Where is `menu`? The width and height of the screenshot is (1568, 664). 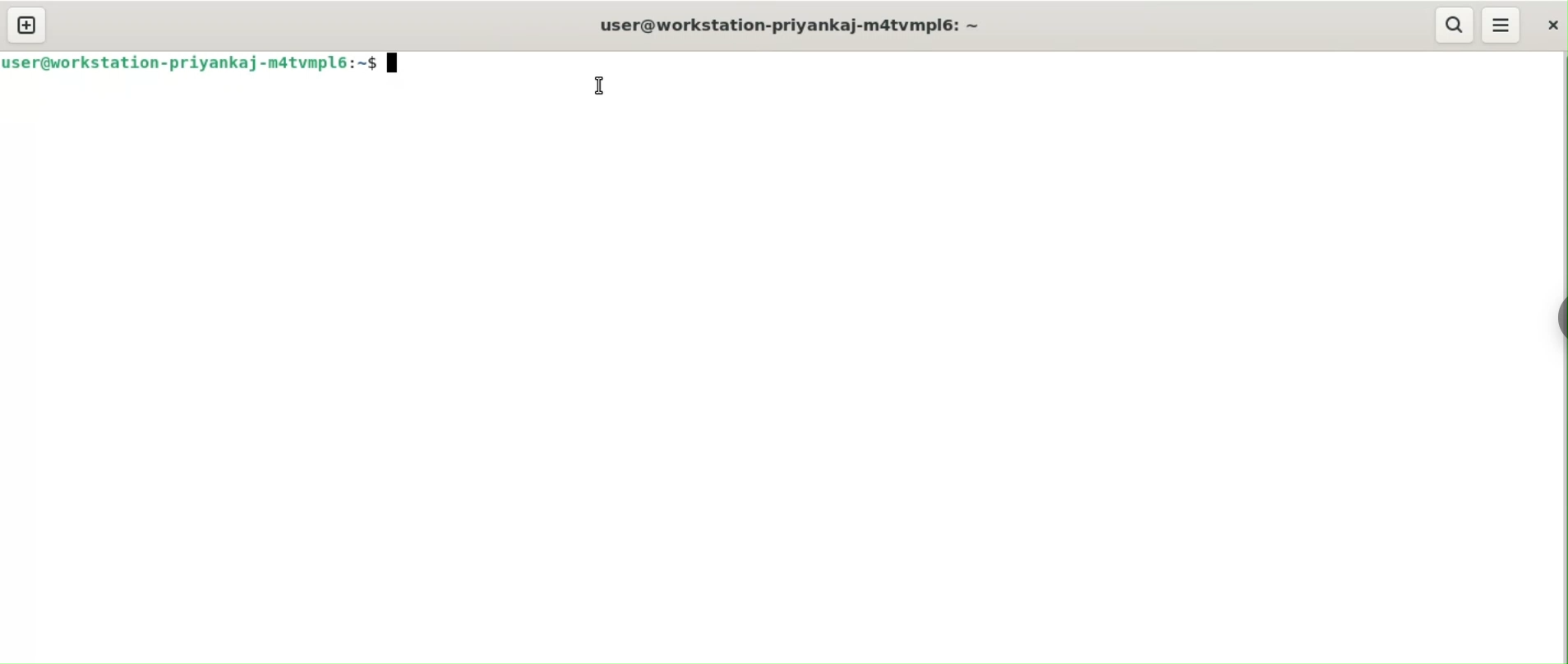 menu is located at coordinates (1501, 25).